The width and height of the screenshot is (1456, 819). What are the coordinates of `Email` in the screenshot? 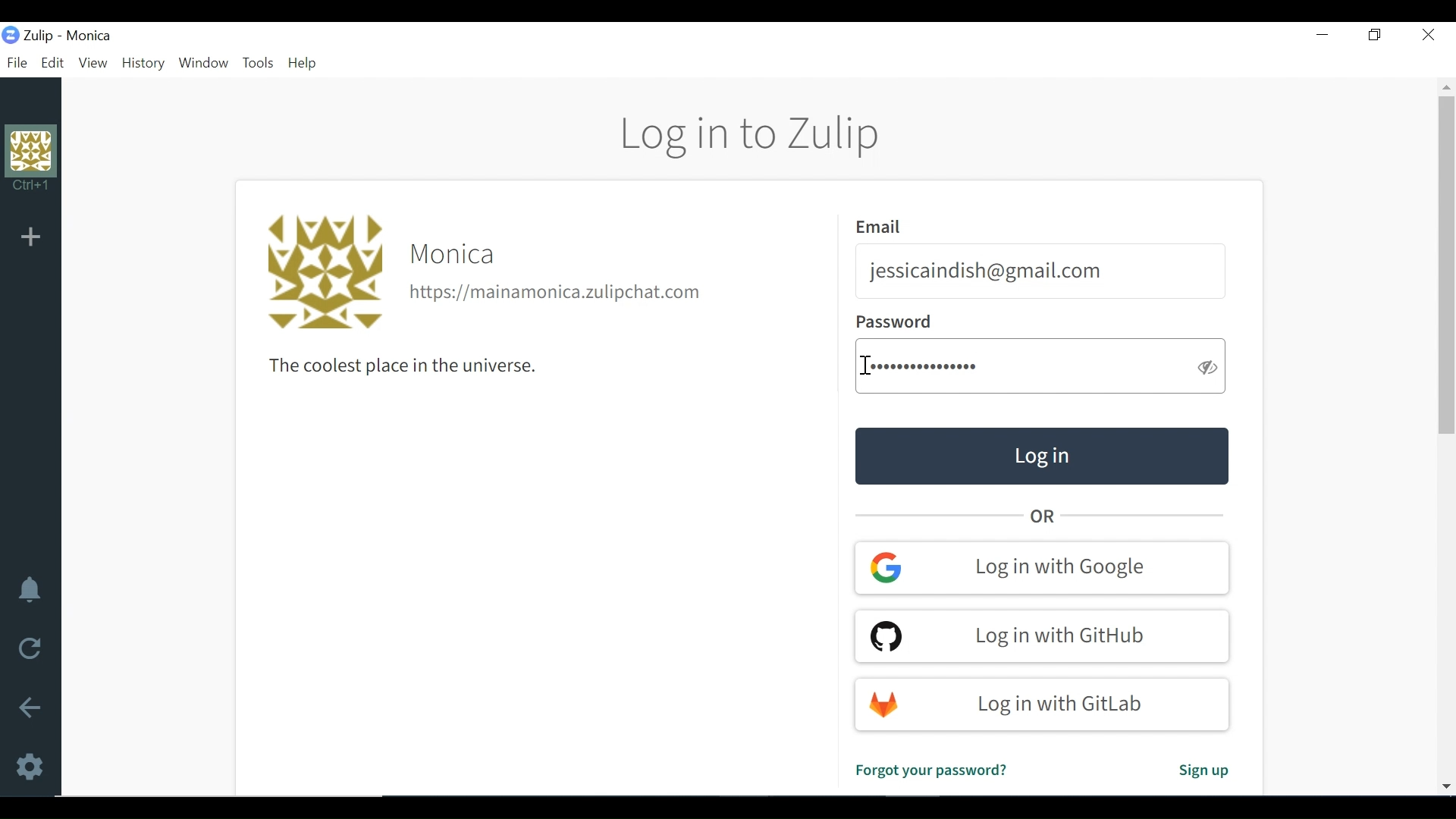 It's located at (882, 227).